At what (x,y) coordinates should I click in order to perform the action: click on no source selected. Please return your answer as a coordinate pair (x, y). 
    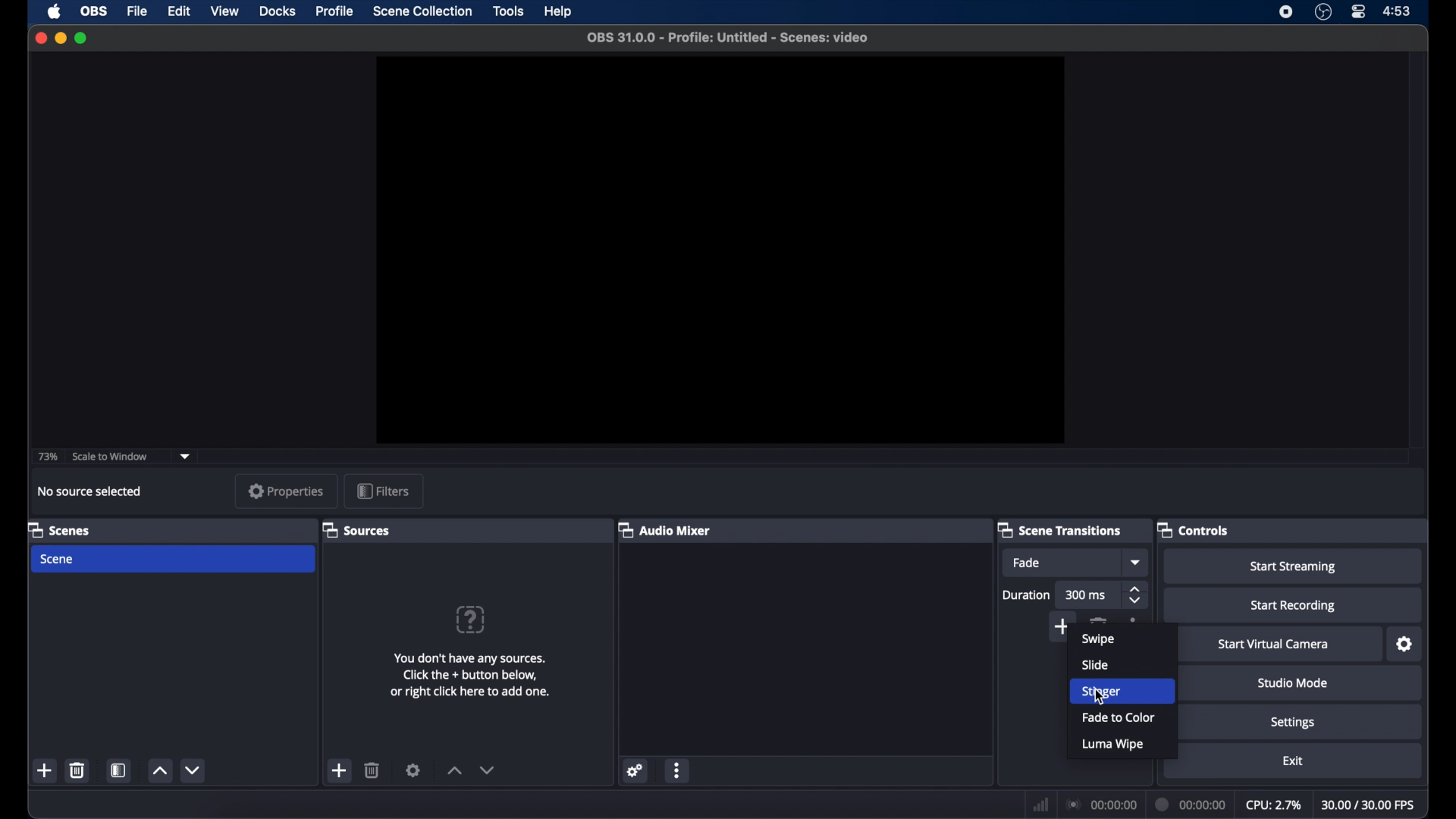
    Looking at the image, I should click on (88, 491).